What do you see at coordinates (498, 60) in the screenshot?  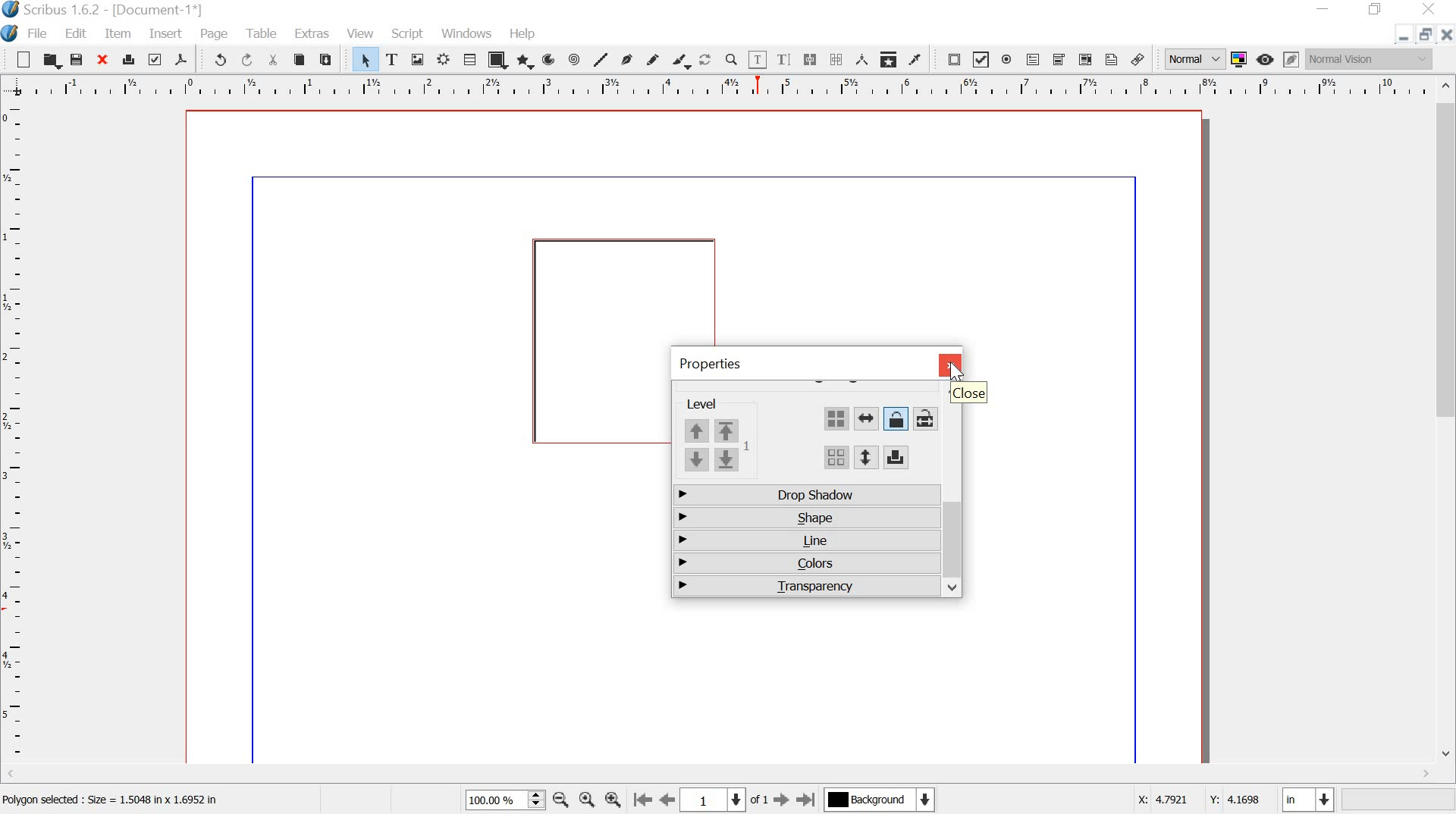 I see `shape` at bounding box center [498, 60].